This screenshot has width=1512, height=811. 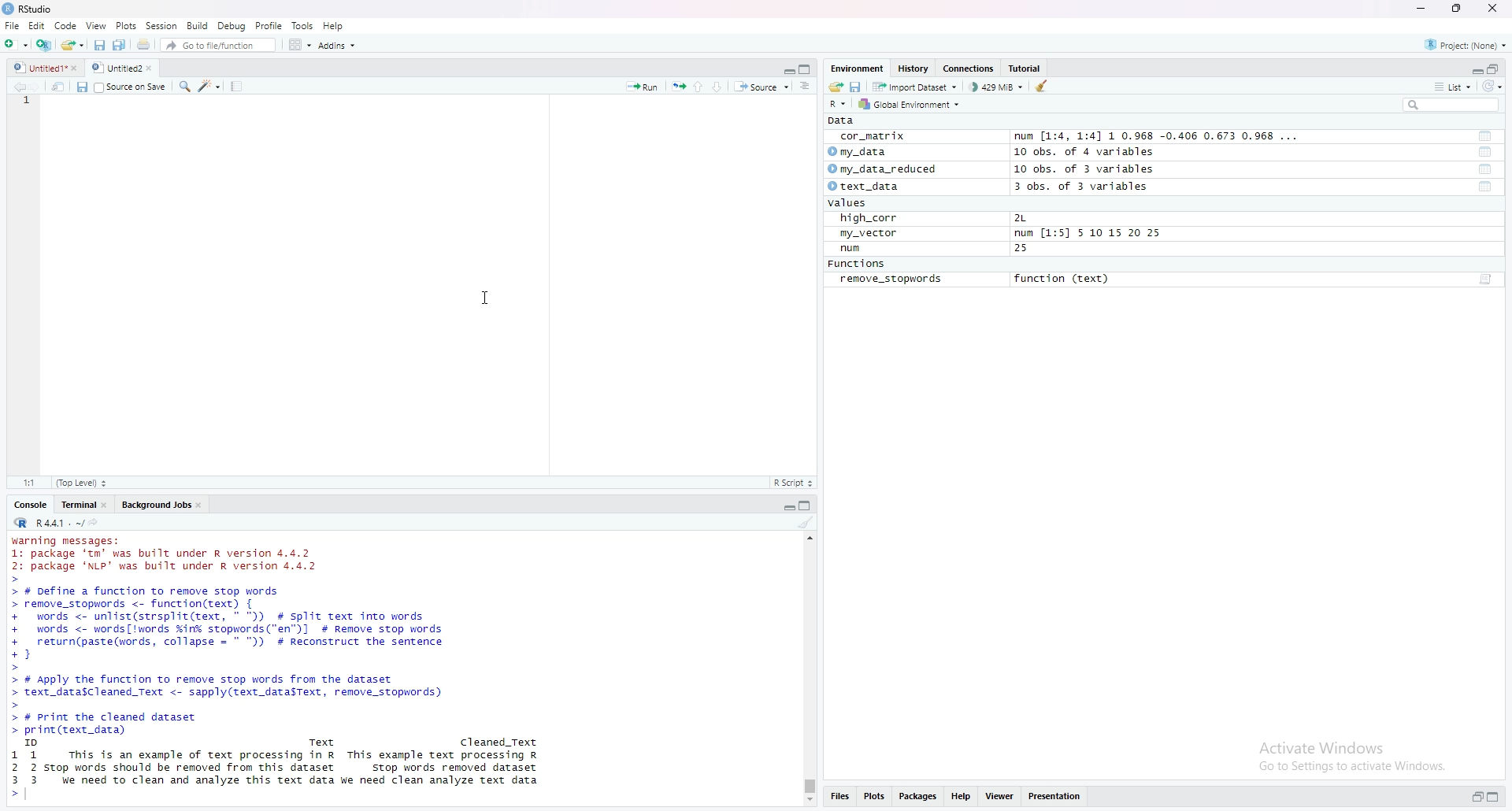 What do you see at coordinates (1494, 10) in the screenshot?
I see `Close` at bounding box center [1494, 10].